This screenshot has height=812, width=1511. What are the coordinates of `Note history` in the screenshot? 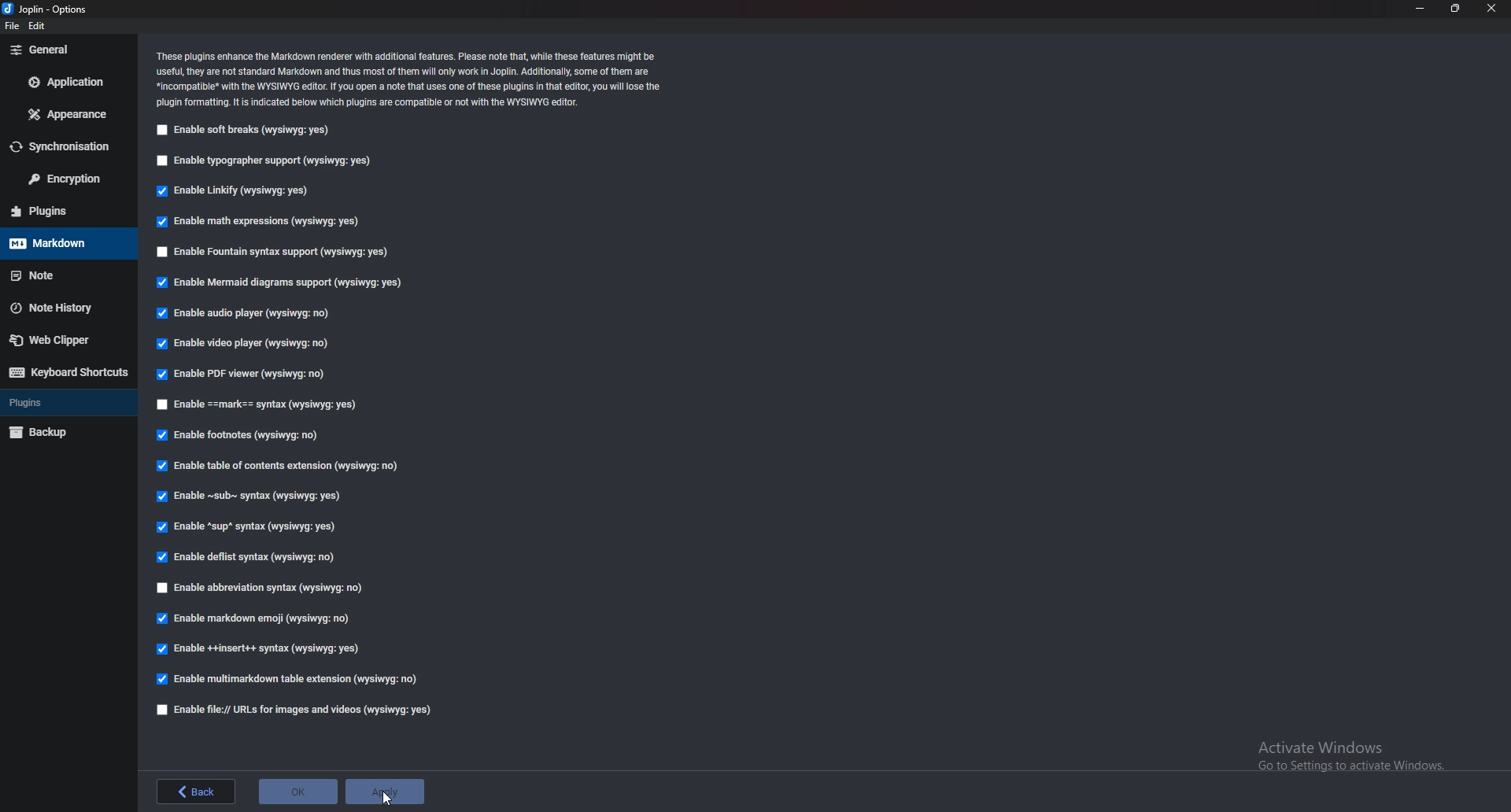 It's located at (60, 307).